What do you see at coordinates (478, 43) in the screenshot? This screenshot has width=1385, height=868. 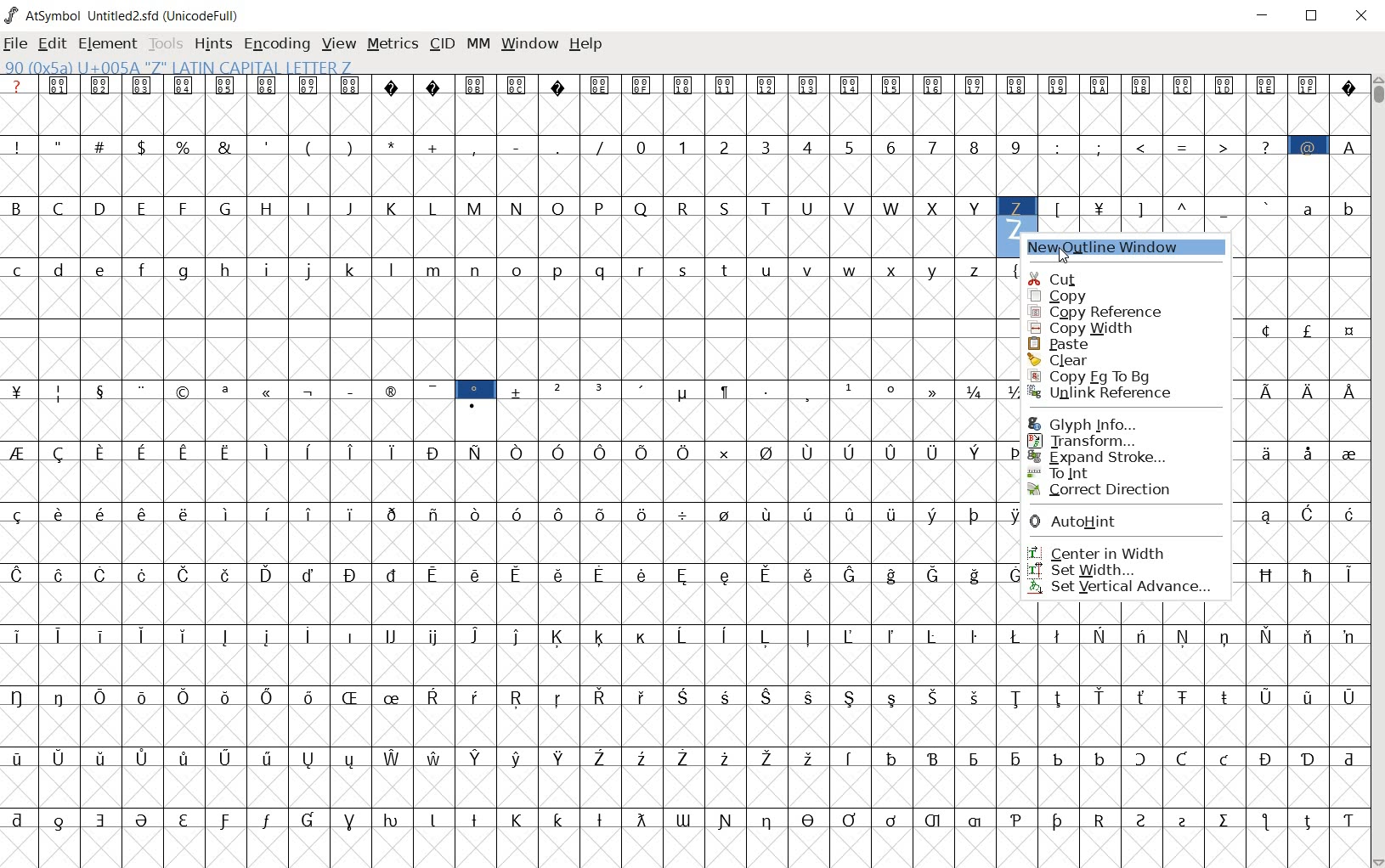 I see `mm` at bounding box center [478, 43].